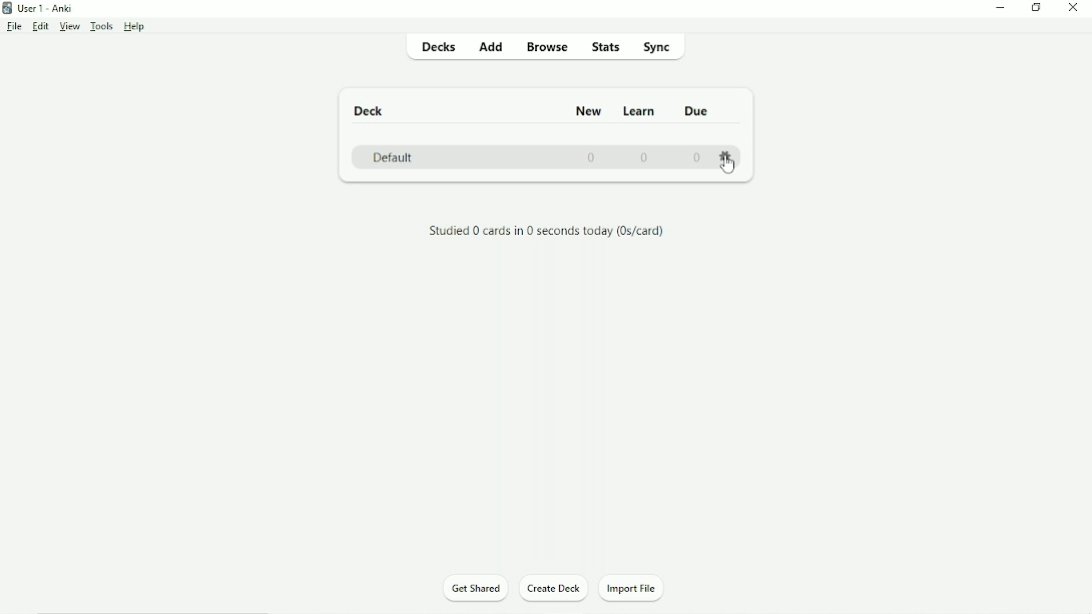  I want to click on Help, so click(136, 27).